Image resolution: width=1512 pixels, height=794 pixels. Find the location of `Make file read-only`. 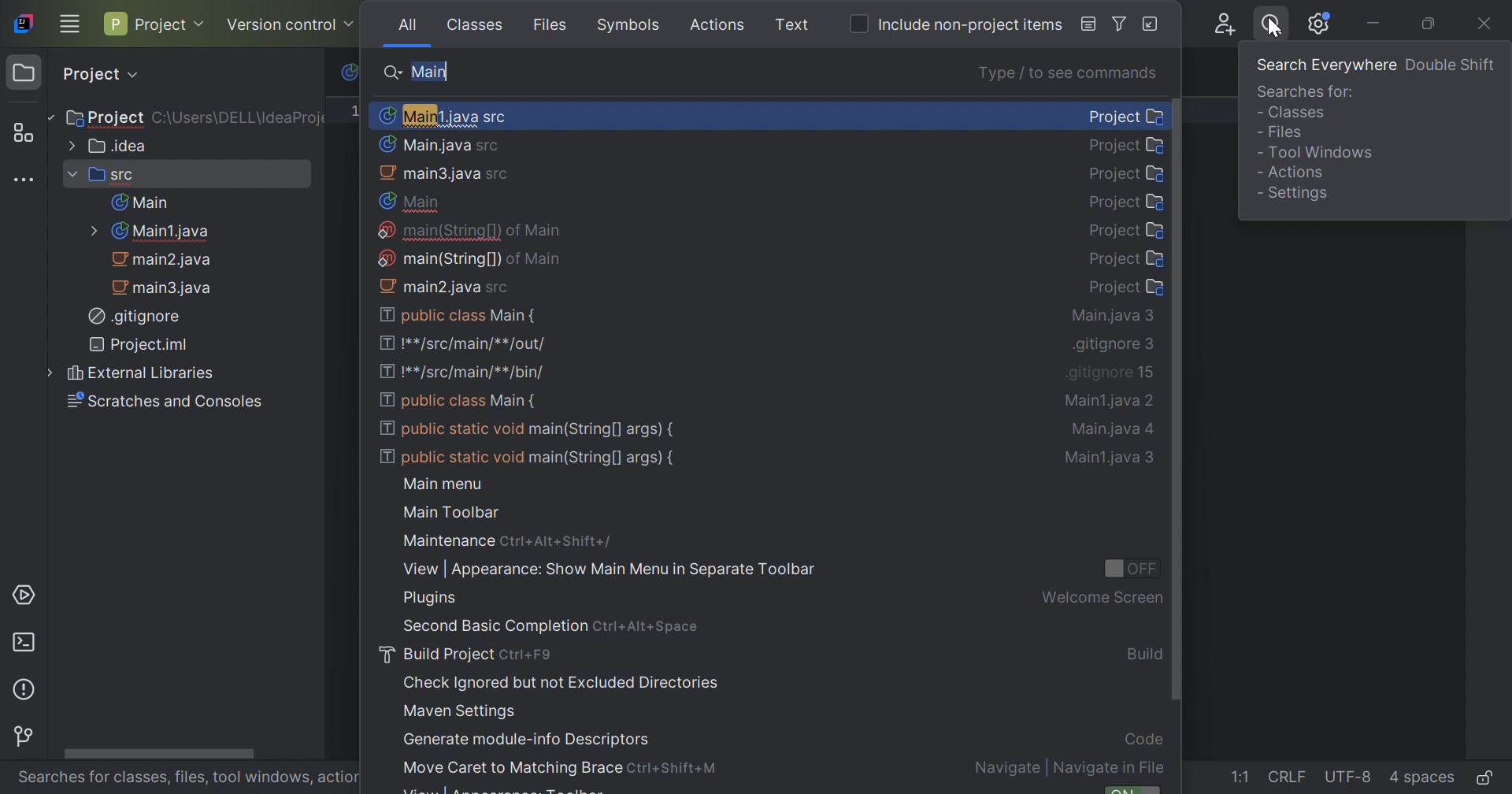

Make file read-only is located at coordinates (1488, 781).